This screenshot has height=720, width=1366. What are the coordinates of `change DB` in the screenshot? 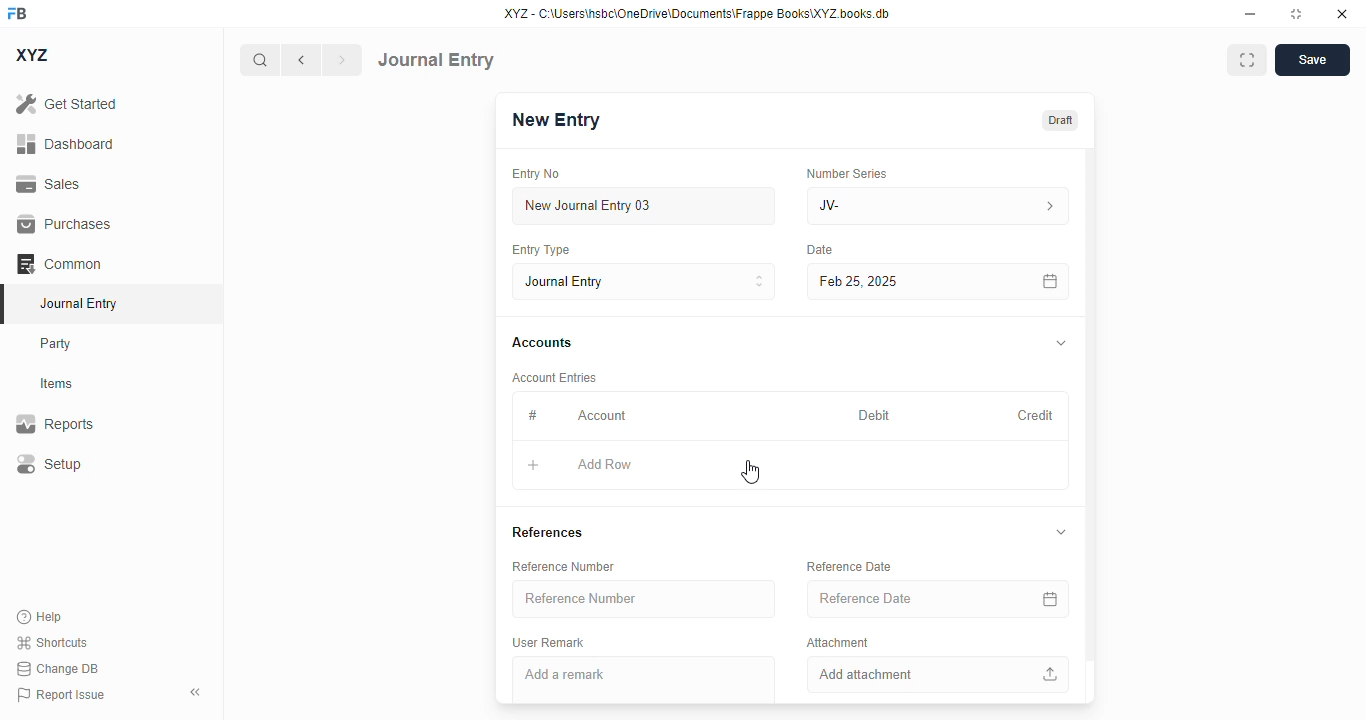 It's located at (58, 668).